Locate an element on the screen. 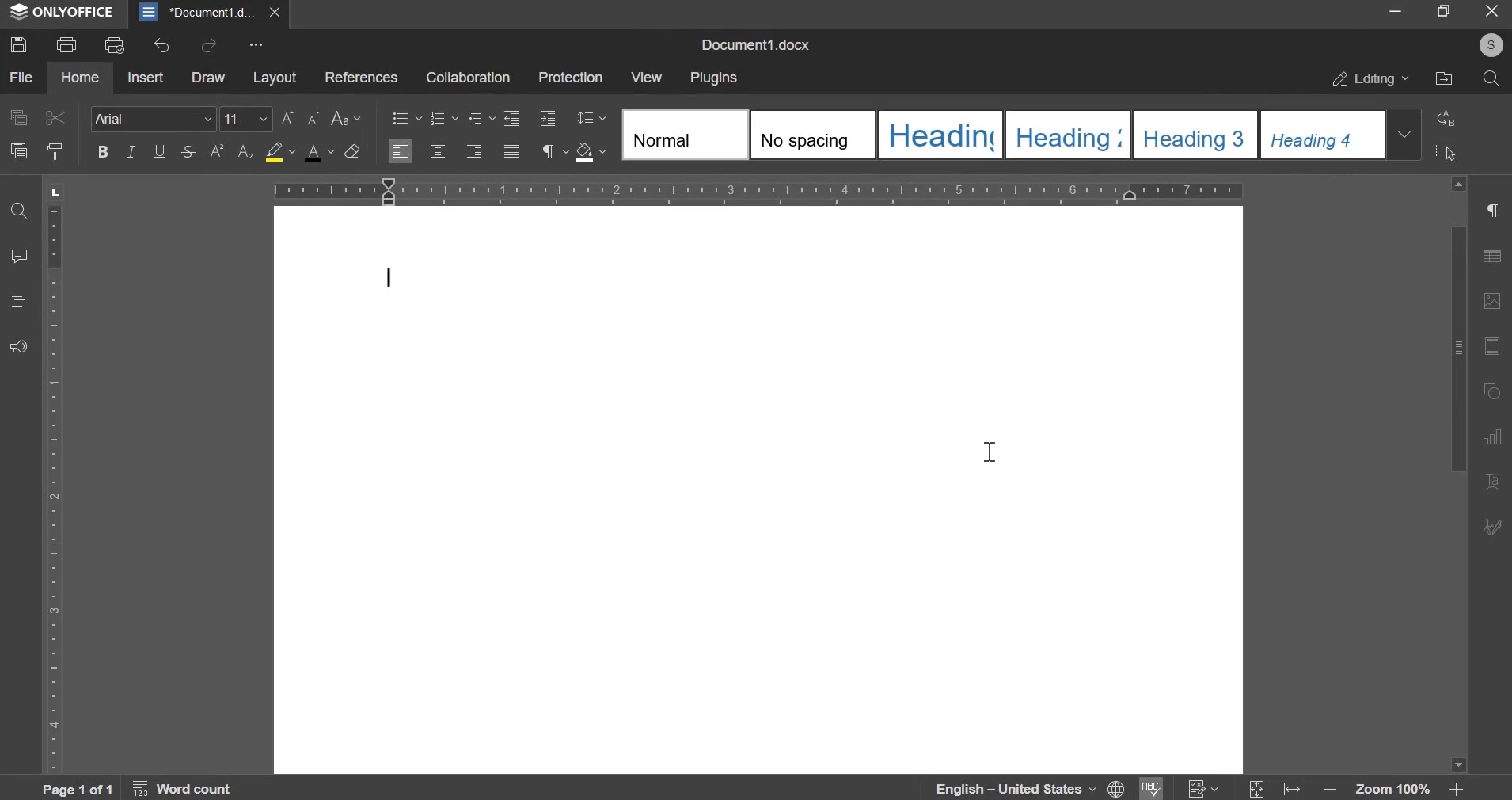 This screenshot has height=800, width=1512. Header and footer is located at coordinates (1491, 346).